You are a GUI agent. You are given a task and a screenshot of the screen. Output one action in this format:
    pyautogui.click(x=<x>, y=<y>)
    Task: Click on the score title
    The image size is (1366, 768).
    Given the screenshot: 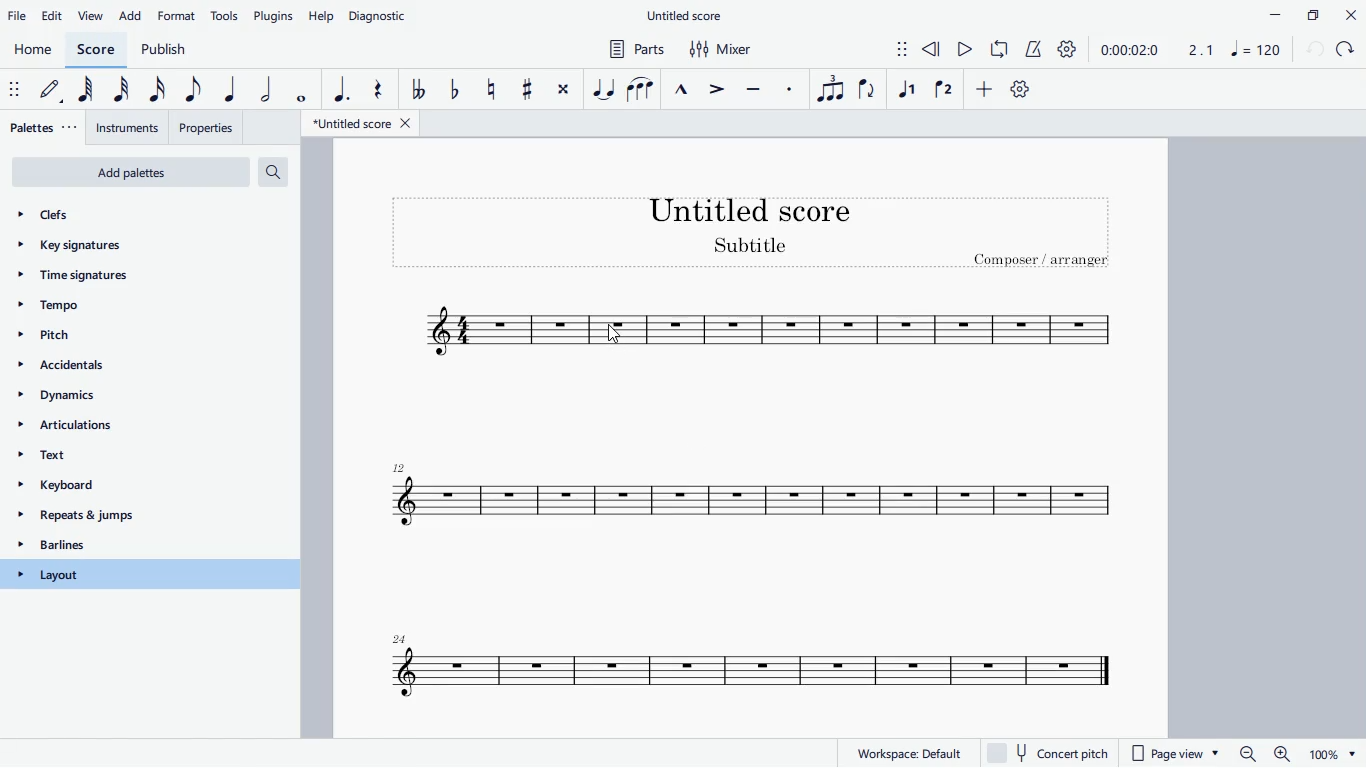 What is the action you would take?
    pyautogui.click(x=753, y=209)
    